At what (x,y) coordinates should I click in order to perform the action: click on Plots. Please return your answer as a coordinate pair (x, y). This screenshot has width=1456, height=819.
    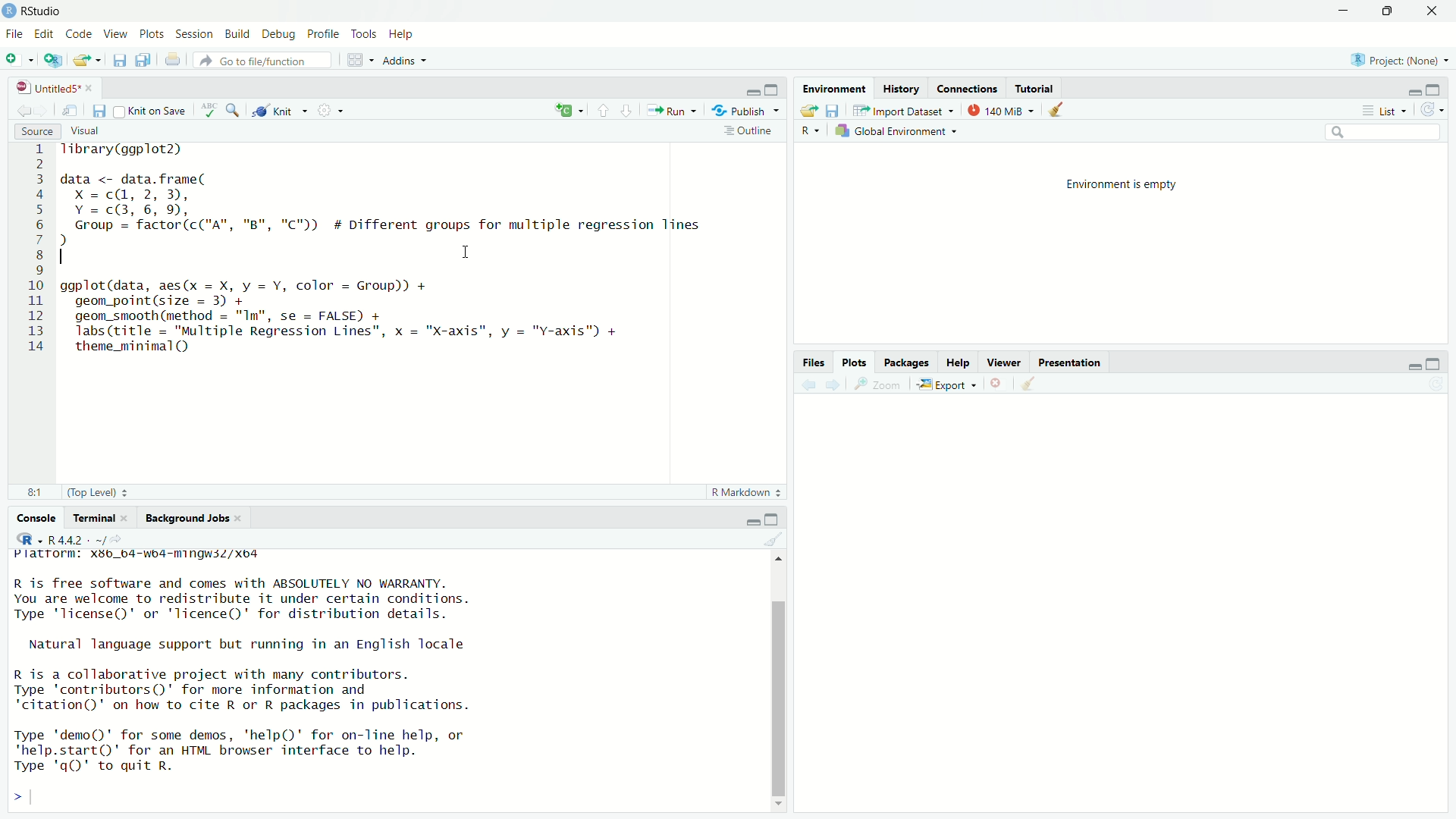
    Looking at the image, I should click on (851, 361).